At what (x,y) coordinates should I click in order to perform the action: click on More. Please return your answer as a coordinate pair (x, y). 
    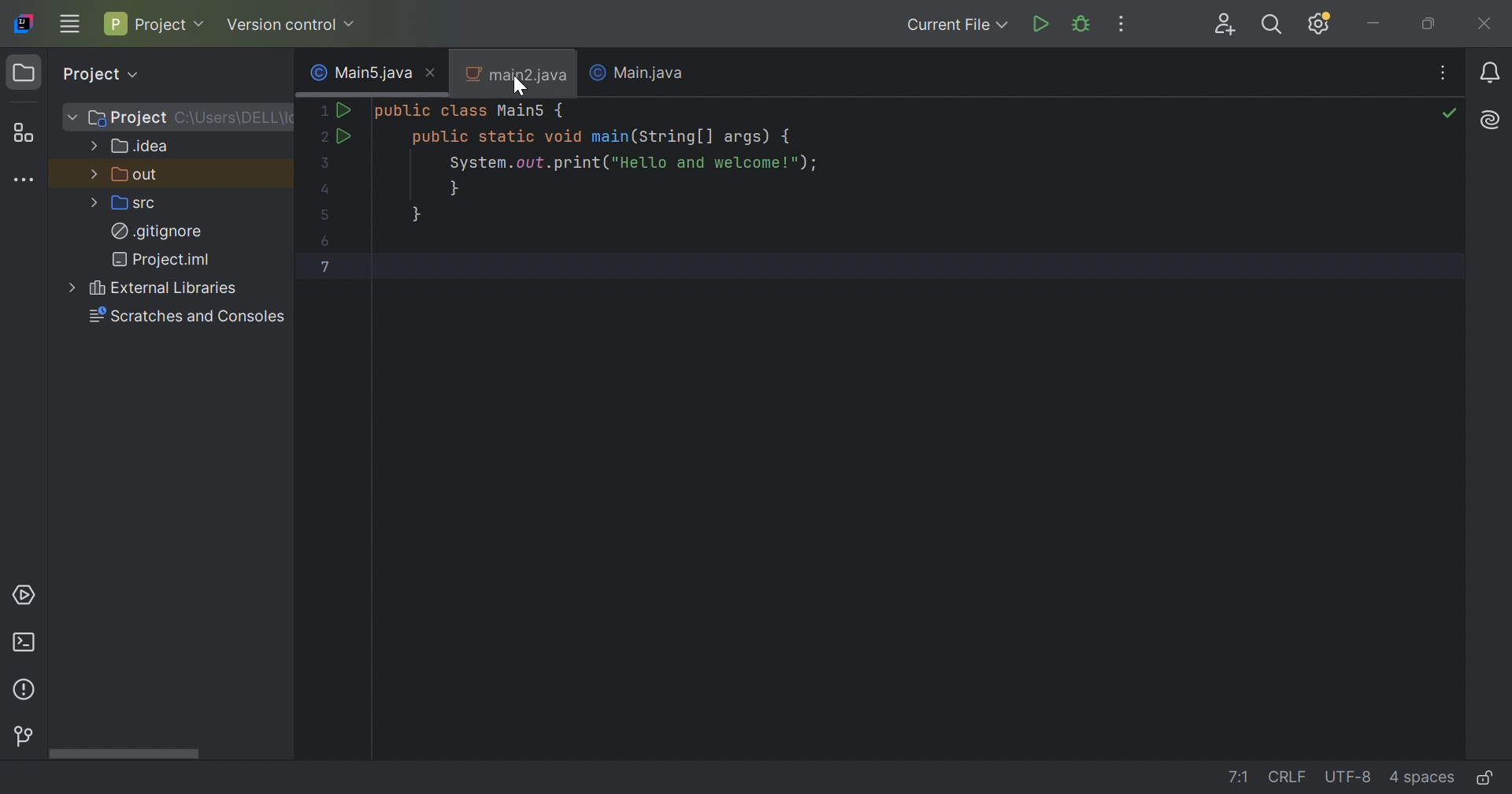
    Looking at the image, I should click on (95, 145).